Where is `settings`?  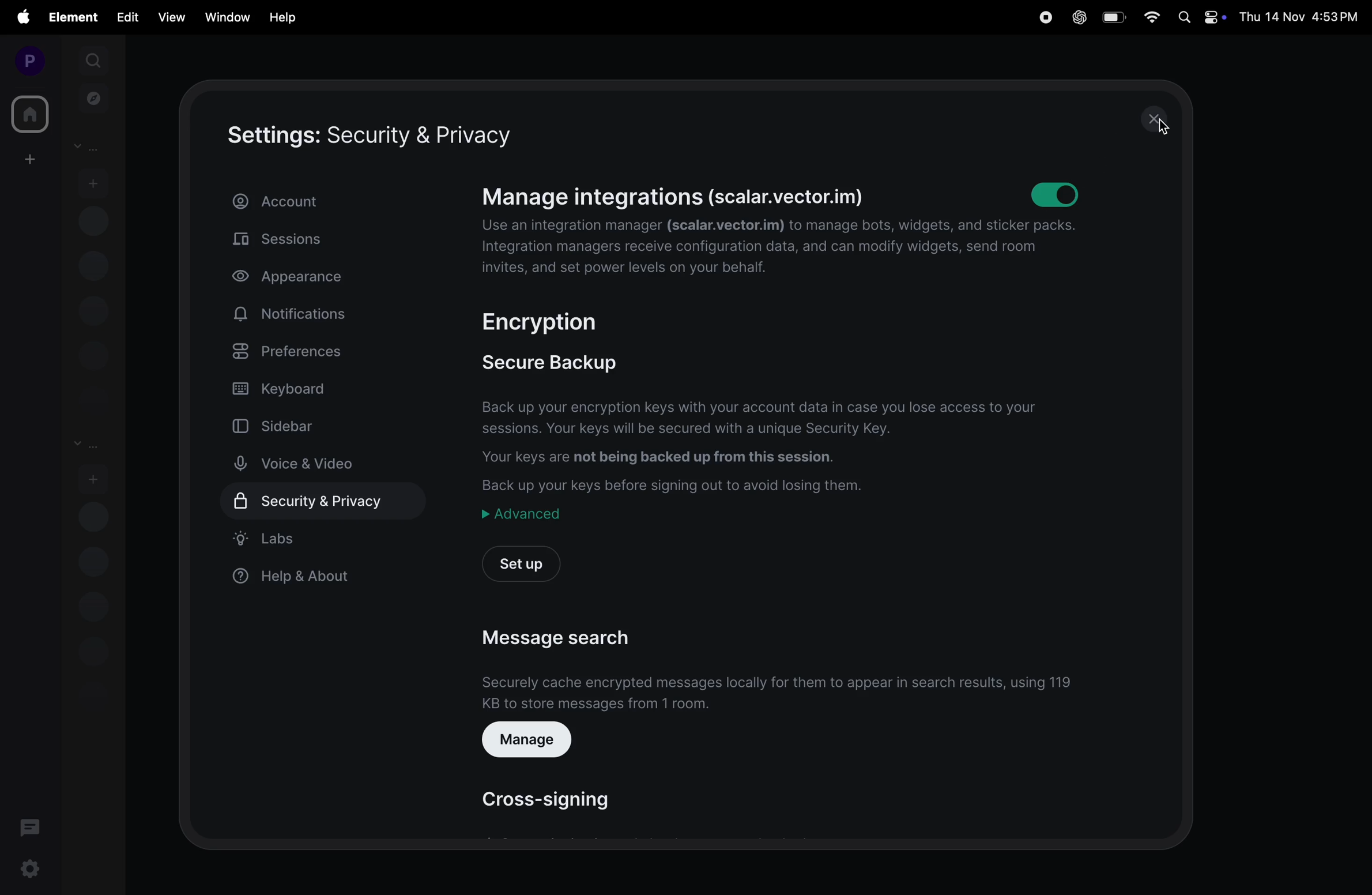
settings is located at coordinates (30, 869).